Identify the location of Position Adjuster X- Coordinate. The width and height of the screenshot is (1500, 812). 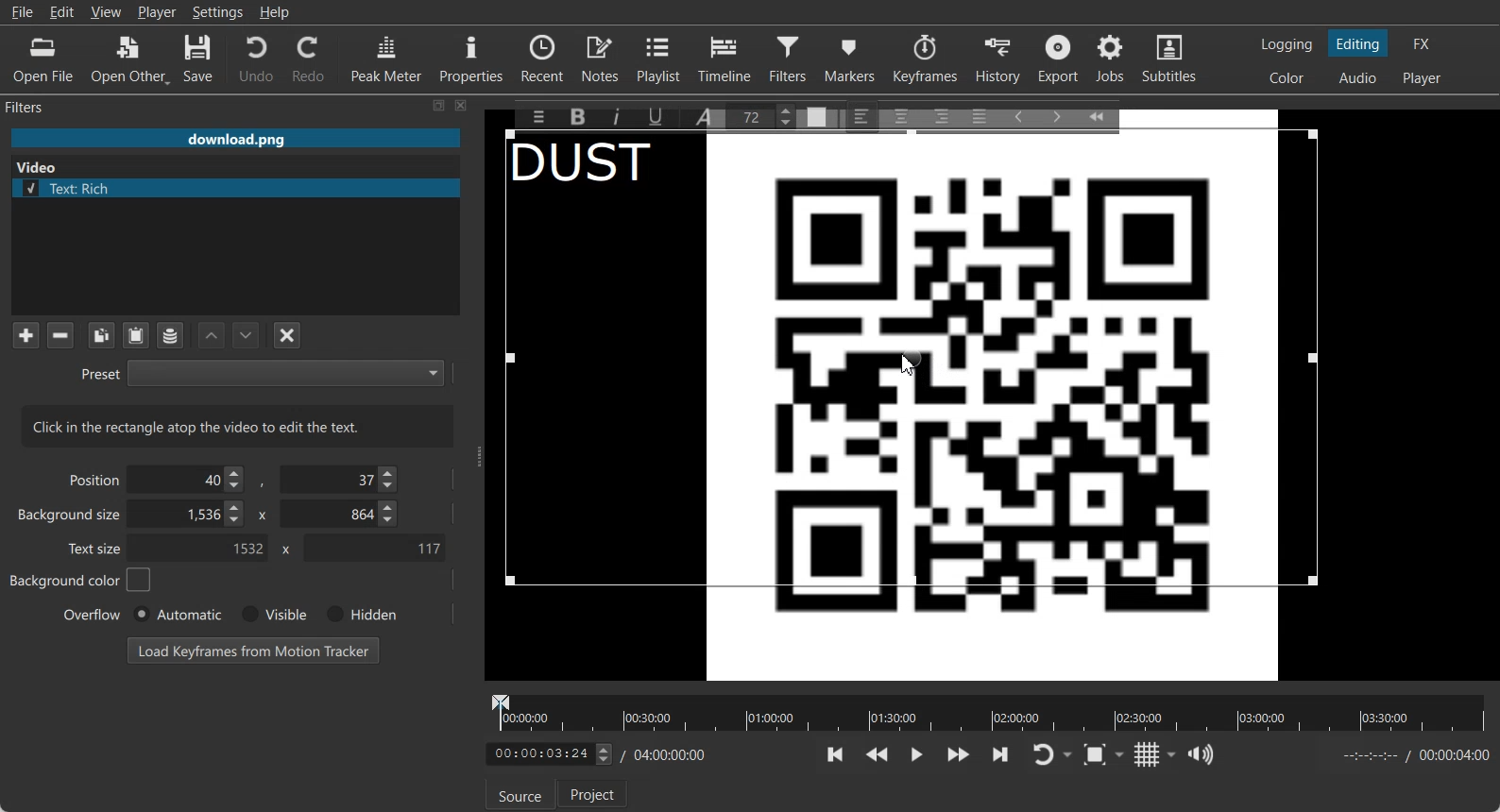
(191, 480).